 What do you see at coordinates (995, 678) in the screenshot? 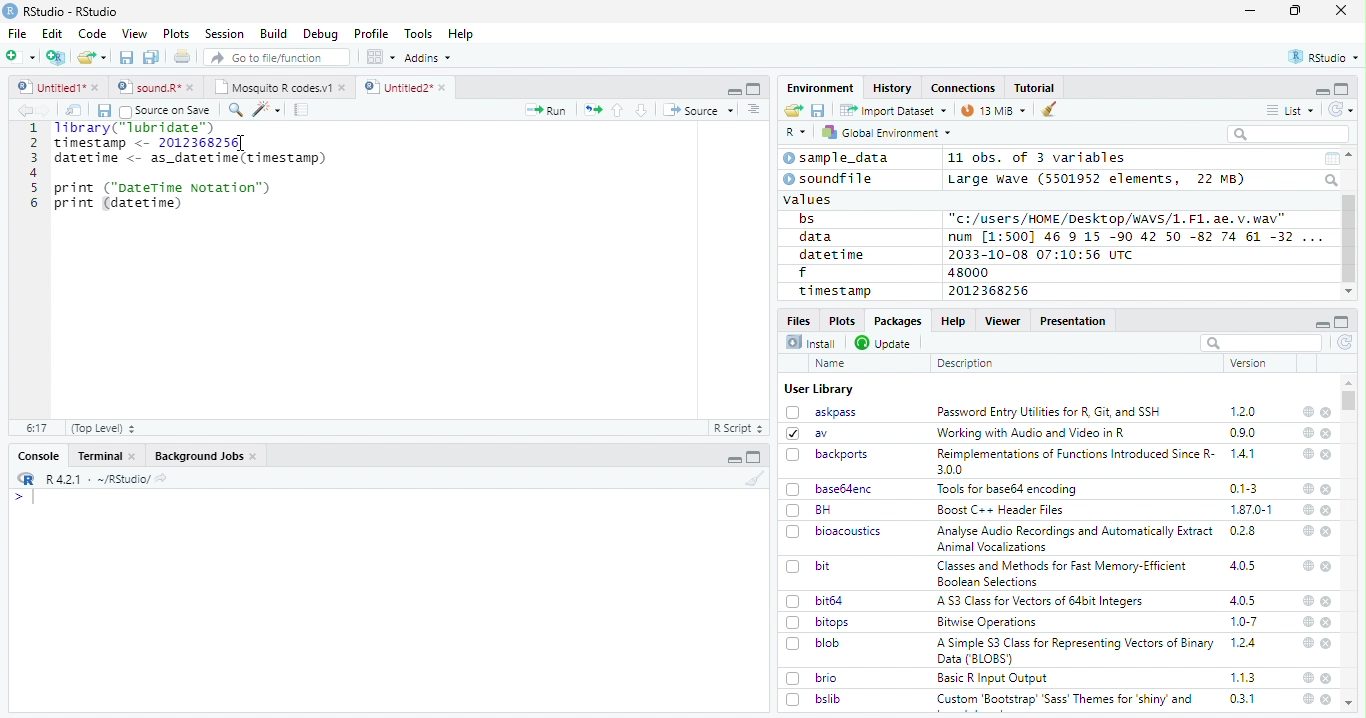
I see `Basic R Input Output` at bounding box center [995, 678].